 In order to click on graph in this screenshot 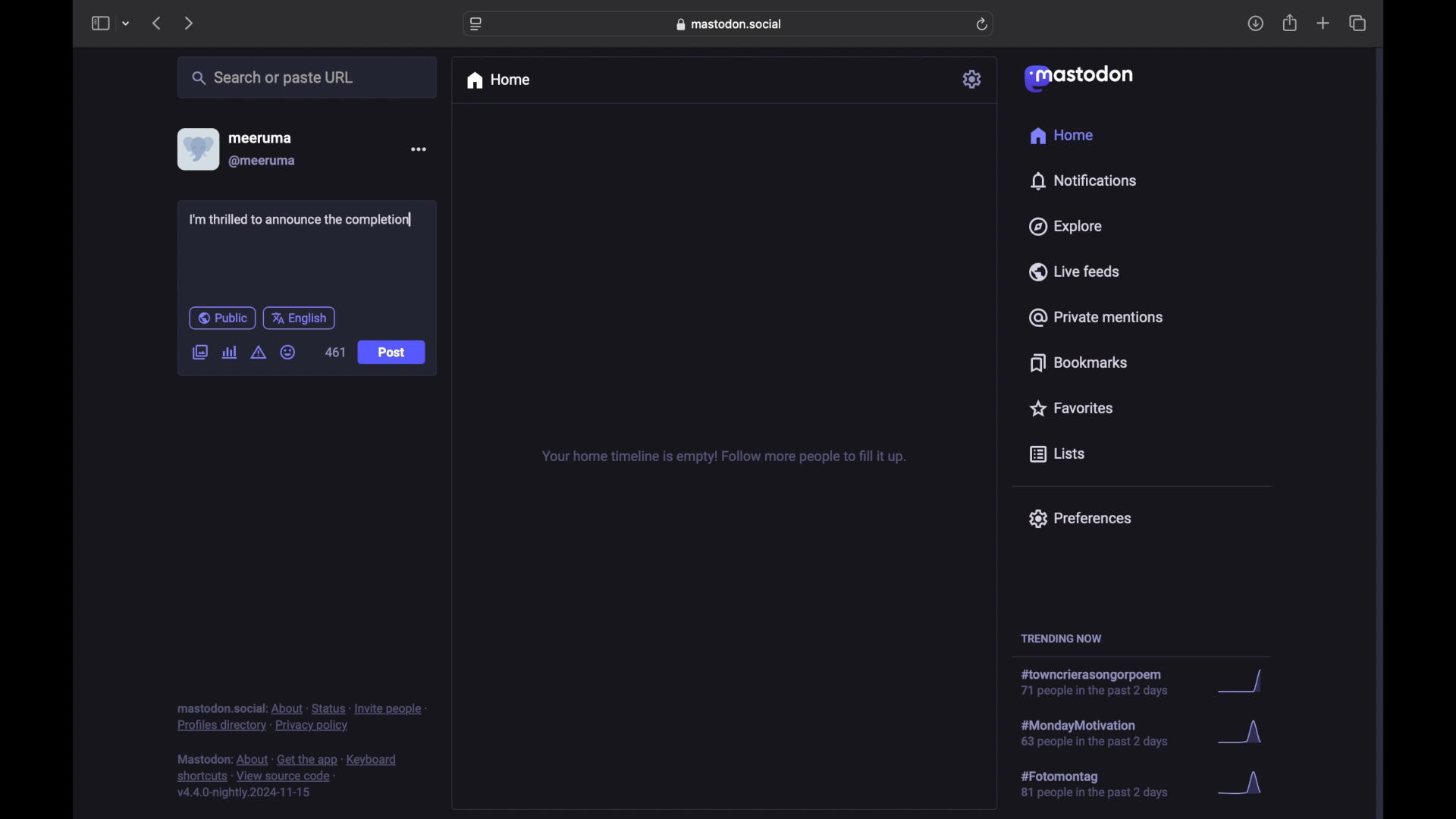, I will do `click(1246, 682)`.